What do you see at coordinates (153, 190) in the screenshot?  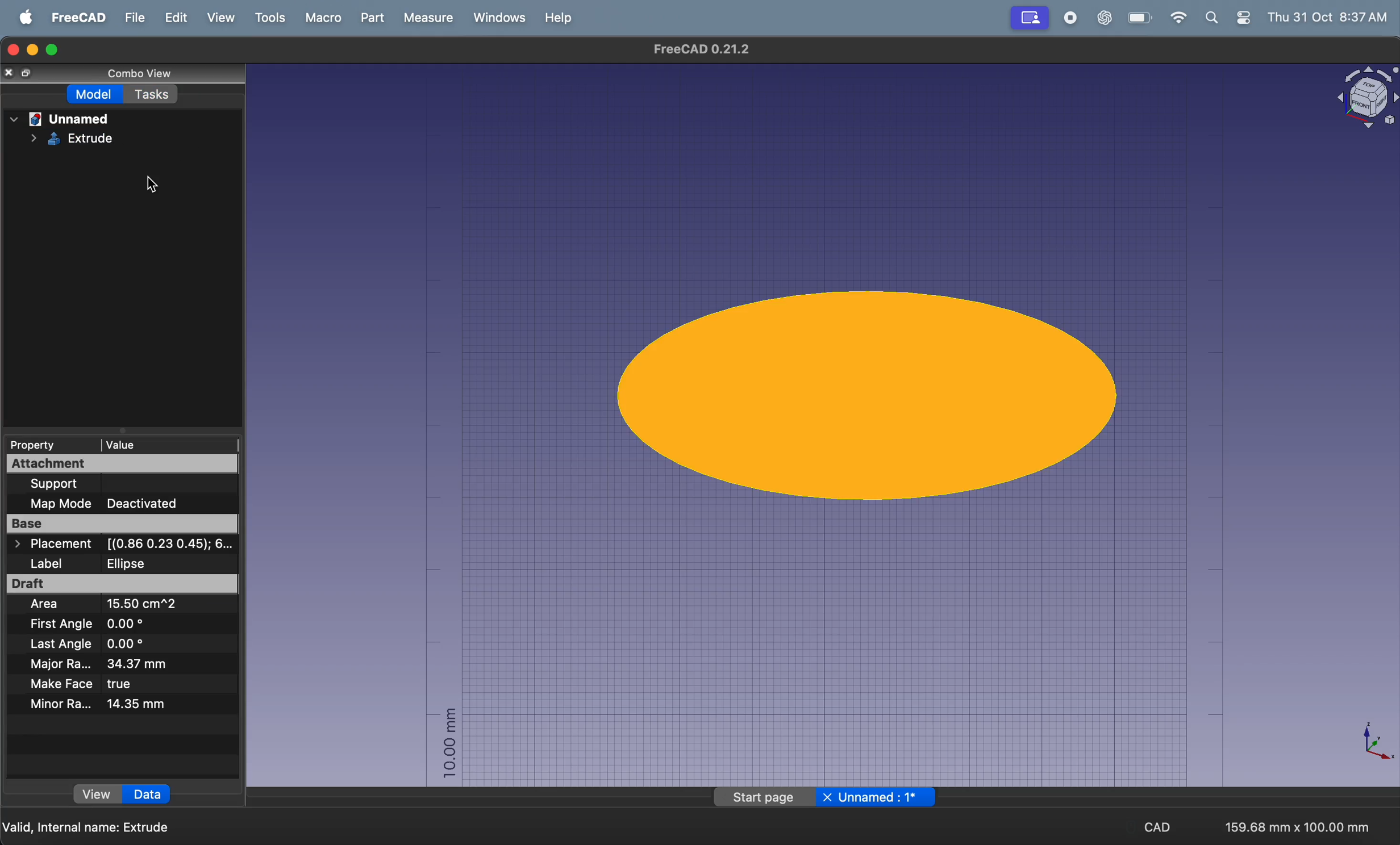 I see `cursor` at bounding box center [153, 190].